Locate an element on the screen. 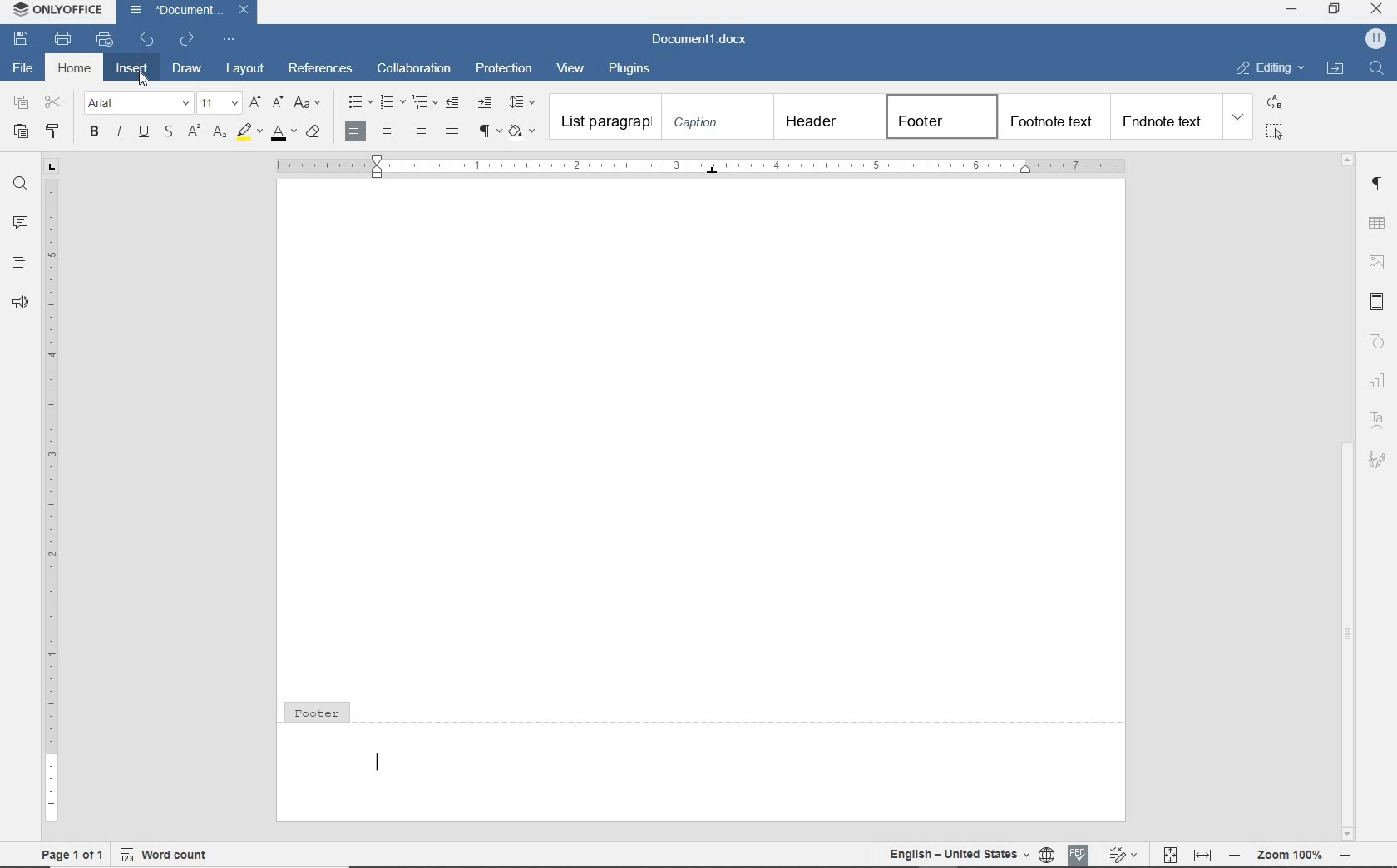 The height and width of the screenshot is (868, 1397). ALIGN RIGHT is located at coordinates (418, 131).